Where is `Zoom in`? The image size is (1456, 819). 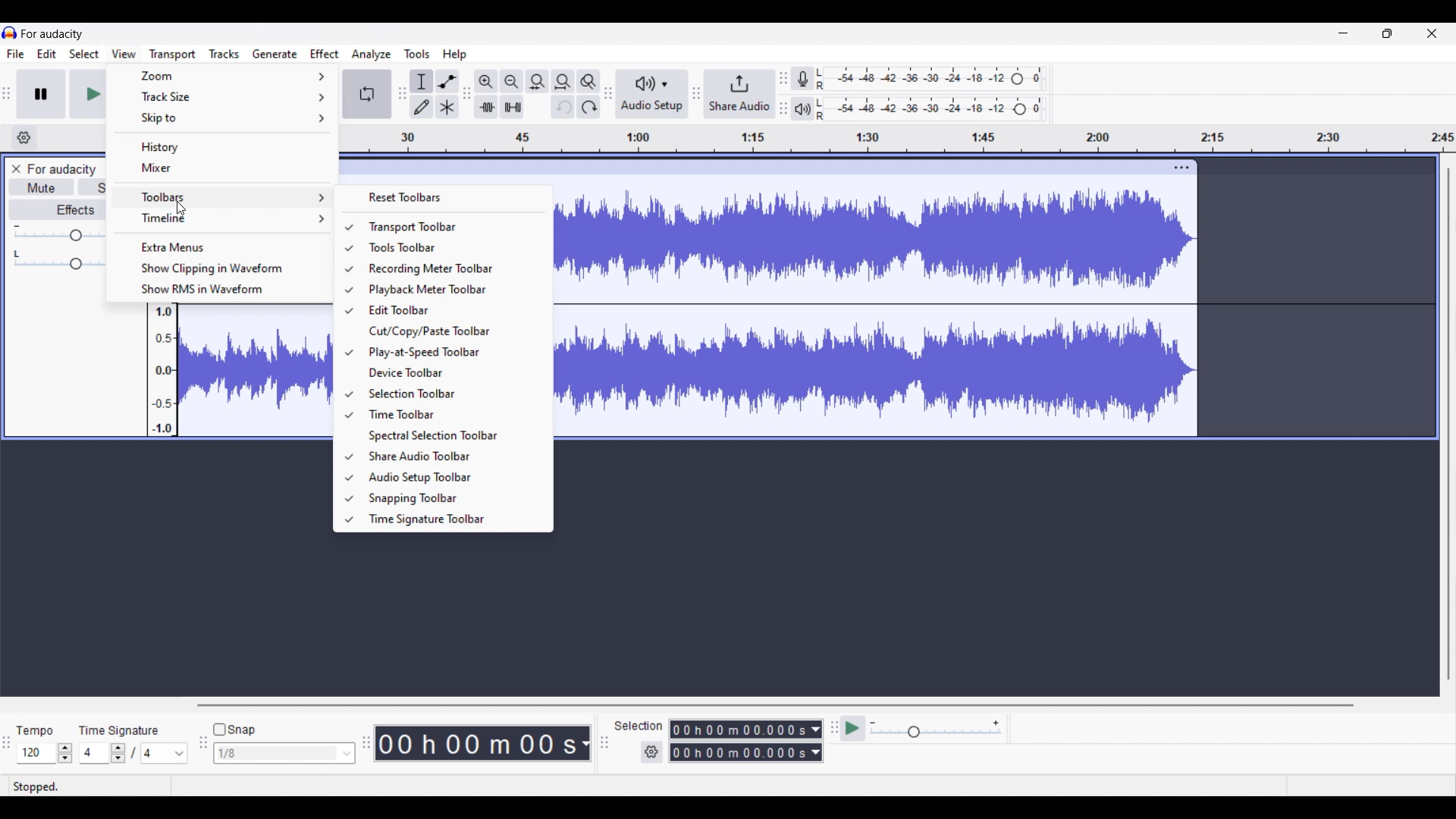
Zoom in is located at coordinates (486, 82).